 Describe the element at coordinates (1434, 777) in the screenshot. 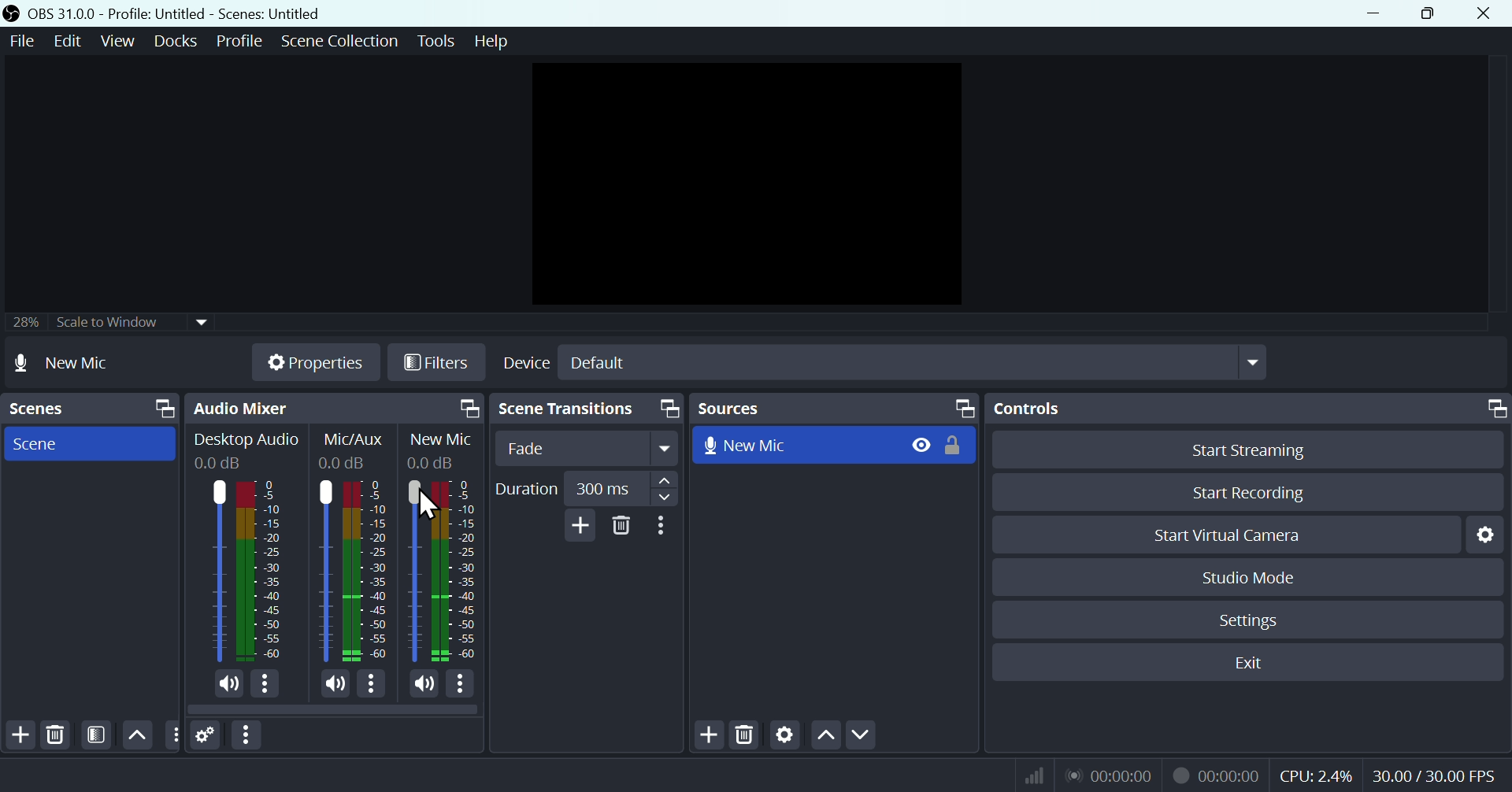

I see `Frame Per Second` at that location.